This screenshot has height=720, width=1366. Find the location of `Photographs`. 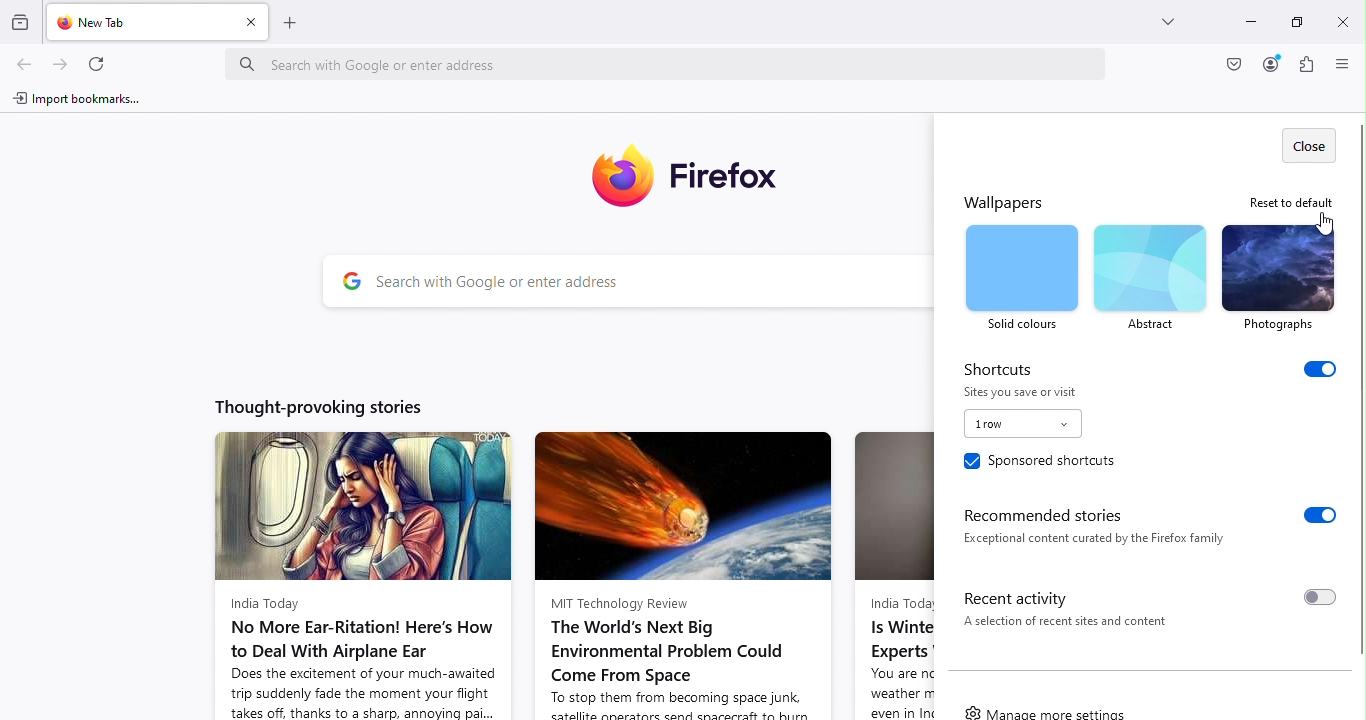

Photographs is located at coordinates (1279, 277).